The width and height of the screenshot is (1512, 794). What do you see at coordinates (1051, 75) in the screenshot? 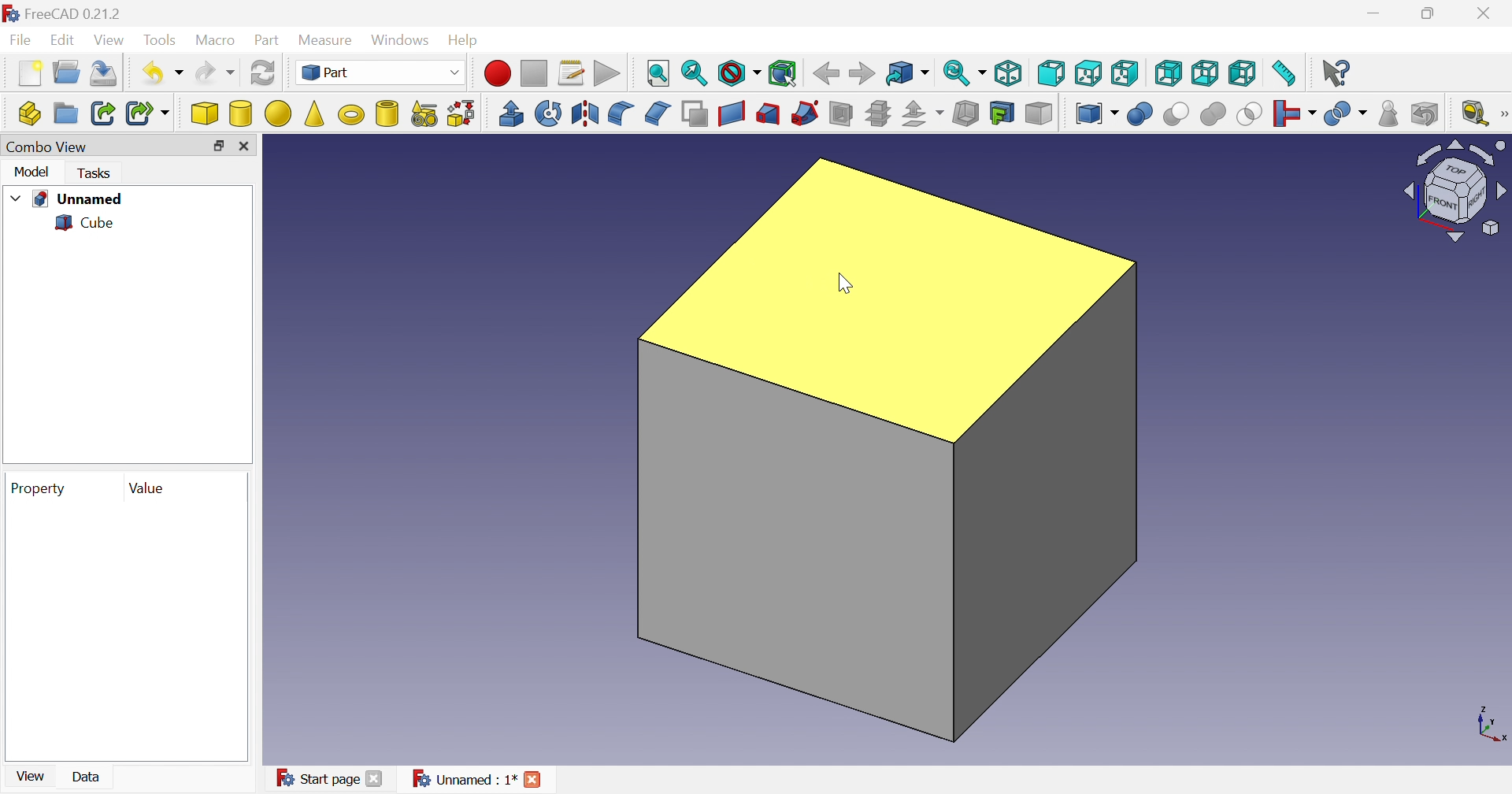
I see `Front` at bounding box center [1051, 75].